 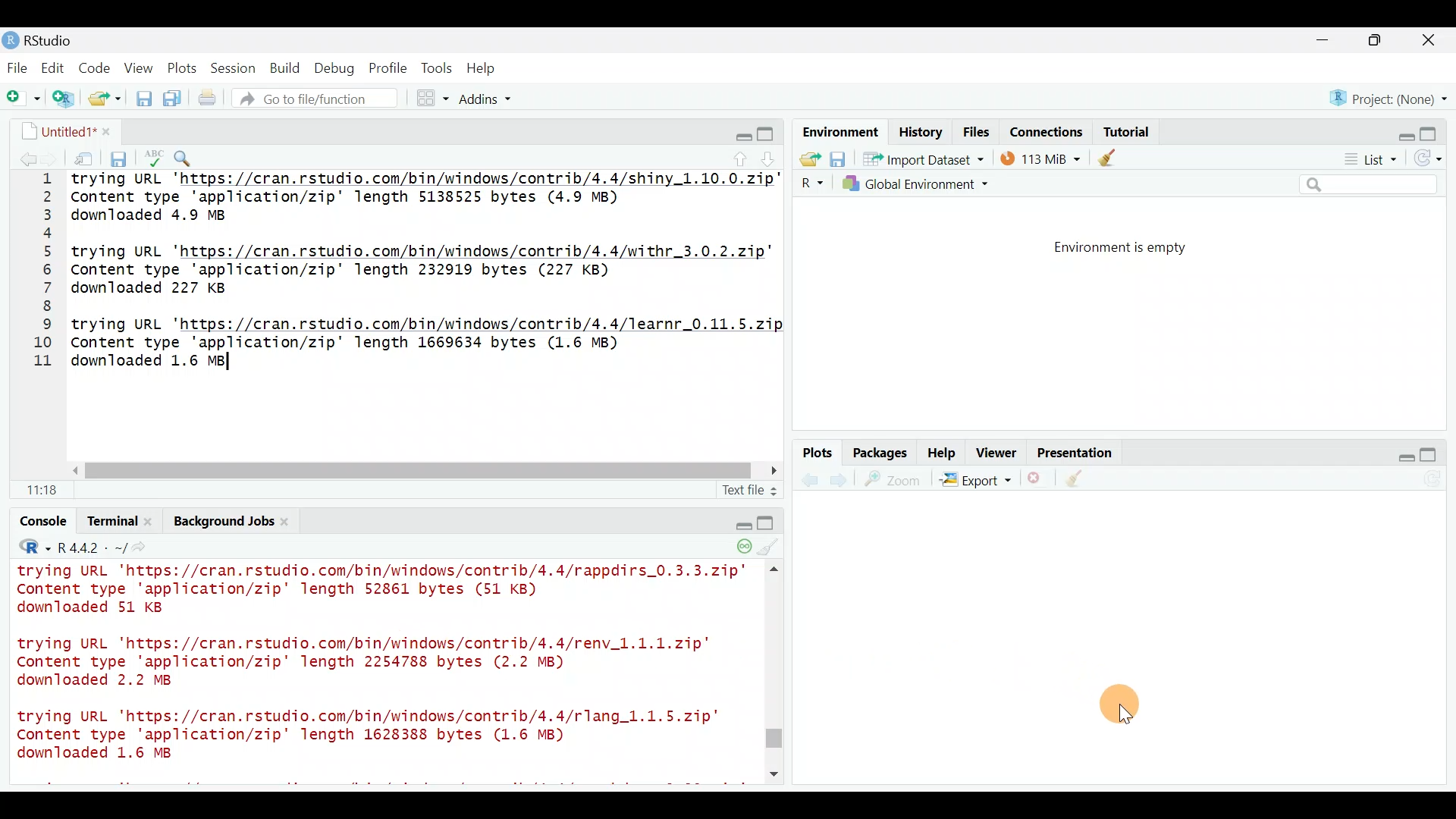 What do you see at coordinates (996, 454) in the screenshot?
I see `Viewer` at bounding box center [996, 454].